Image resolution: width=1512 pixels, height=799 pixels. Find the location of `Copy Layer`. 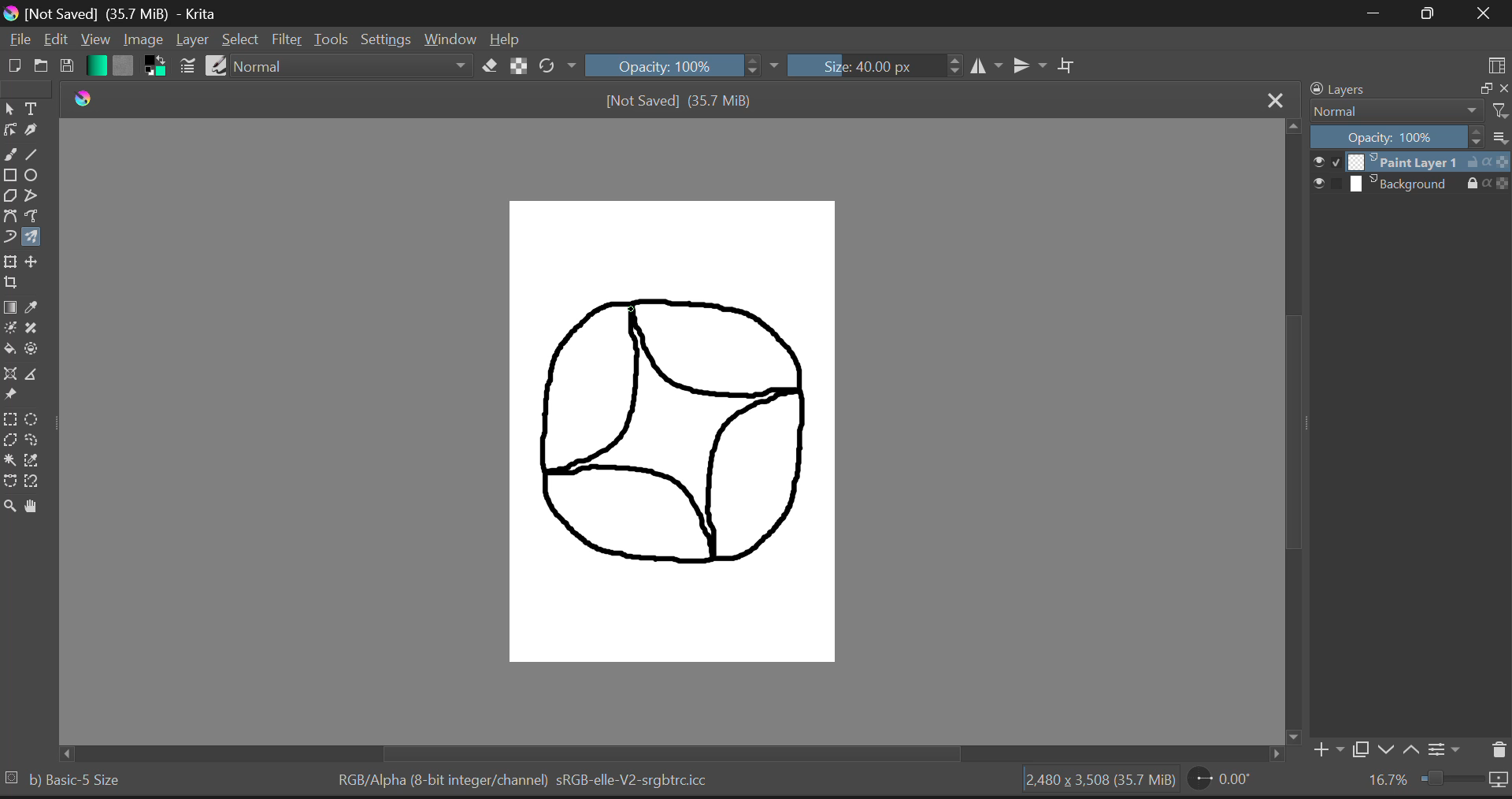

Copy Layer is located at coordinates (1362, 749).